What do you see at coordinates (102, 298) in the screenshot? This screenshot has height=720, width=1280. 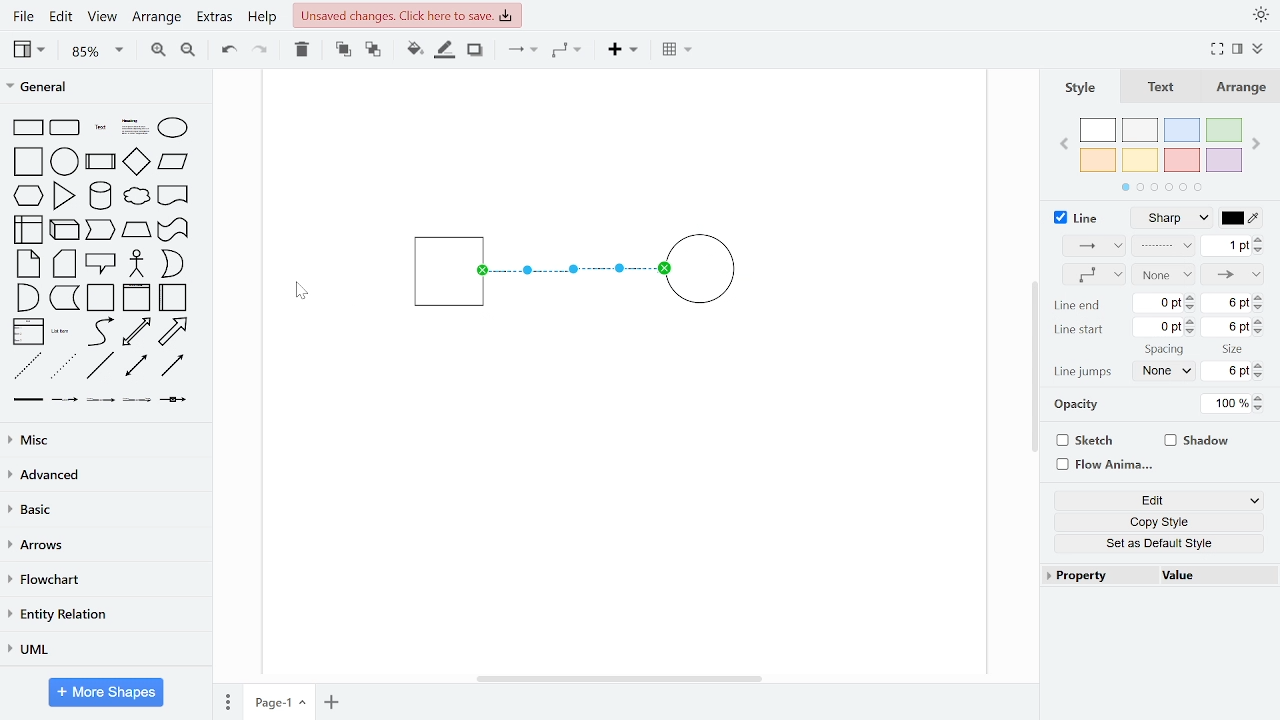 I see `container` at bounding box center [102, 298].